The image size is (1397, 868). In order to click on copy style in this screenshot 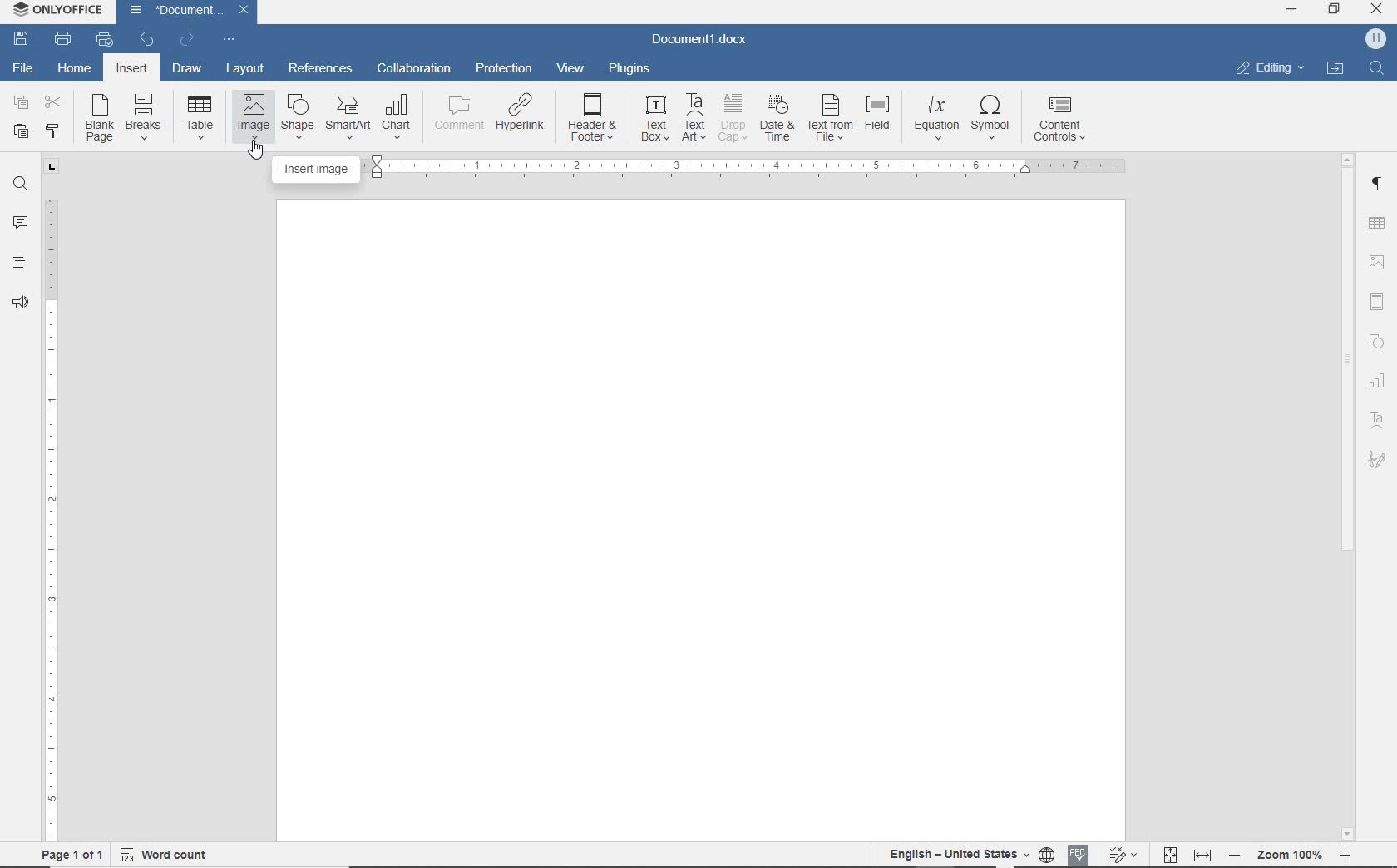, I will do `click(54, 131)`.